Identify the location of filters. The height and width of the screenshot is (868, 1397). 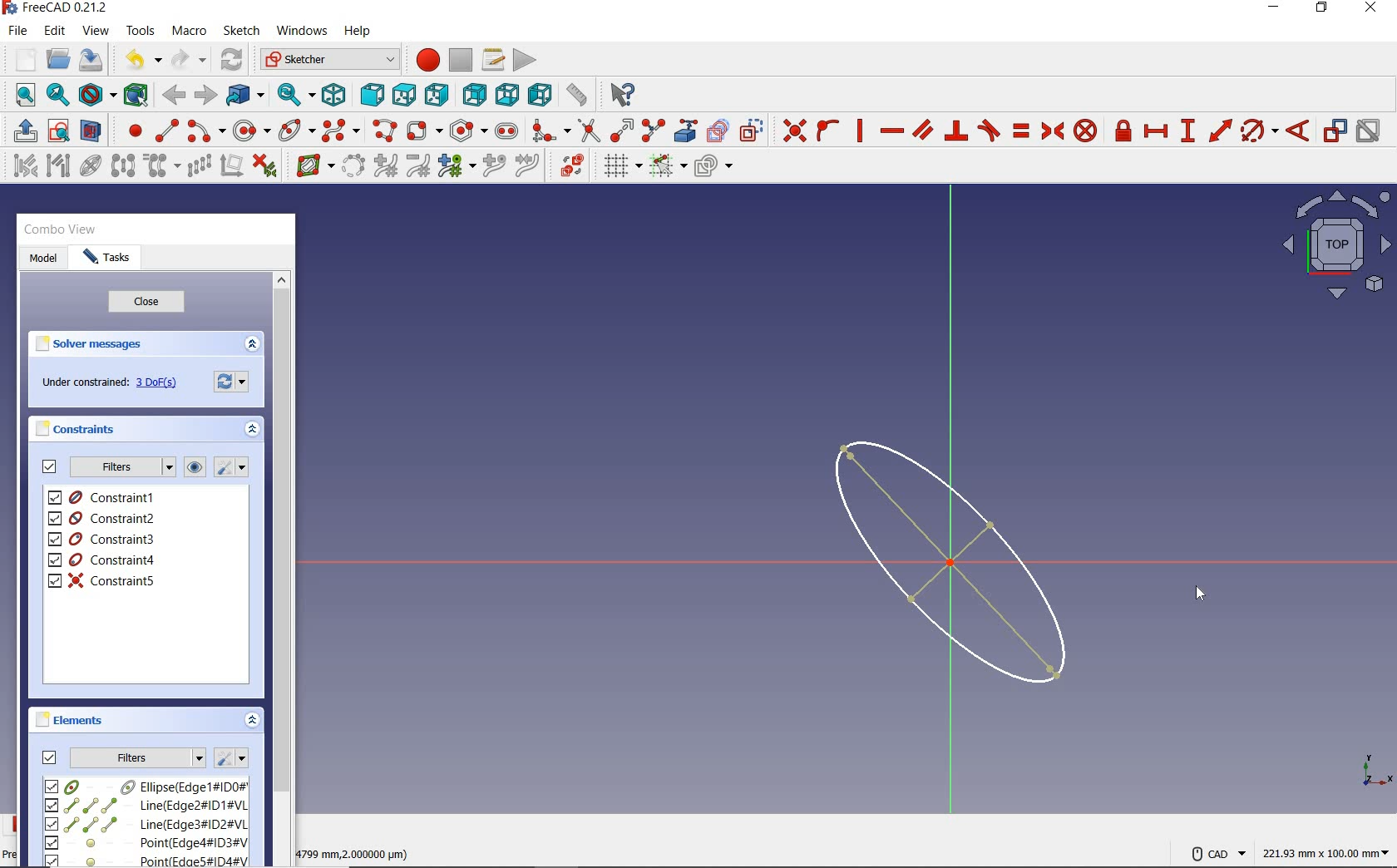
(138, 756).